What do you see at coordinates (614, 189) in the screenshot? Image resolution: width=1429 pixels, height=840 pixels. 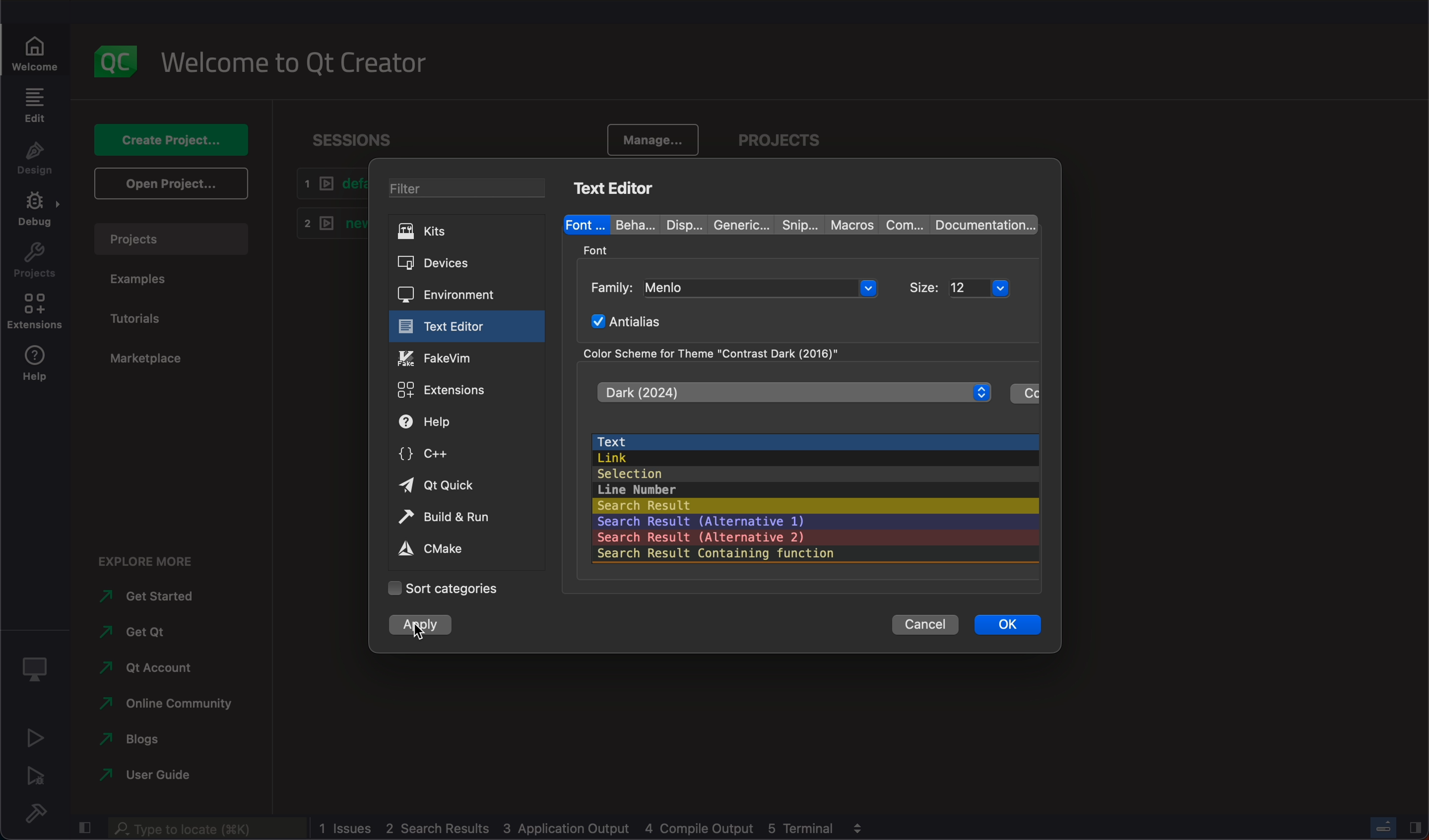 I see `text editor` at bounding box center [614, 189].